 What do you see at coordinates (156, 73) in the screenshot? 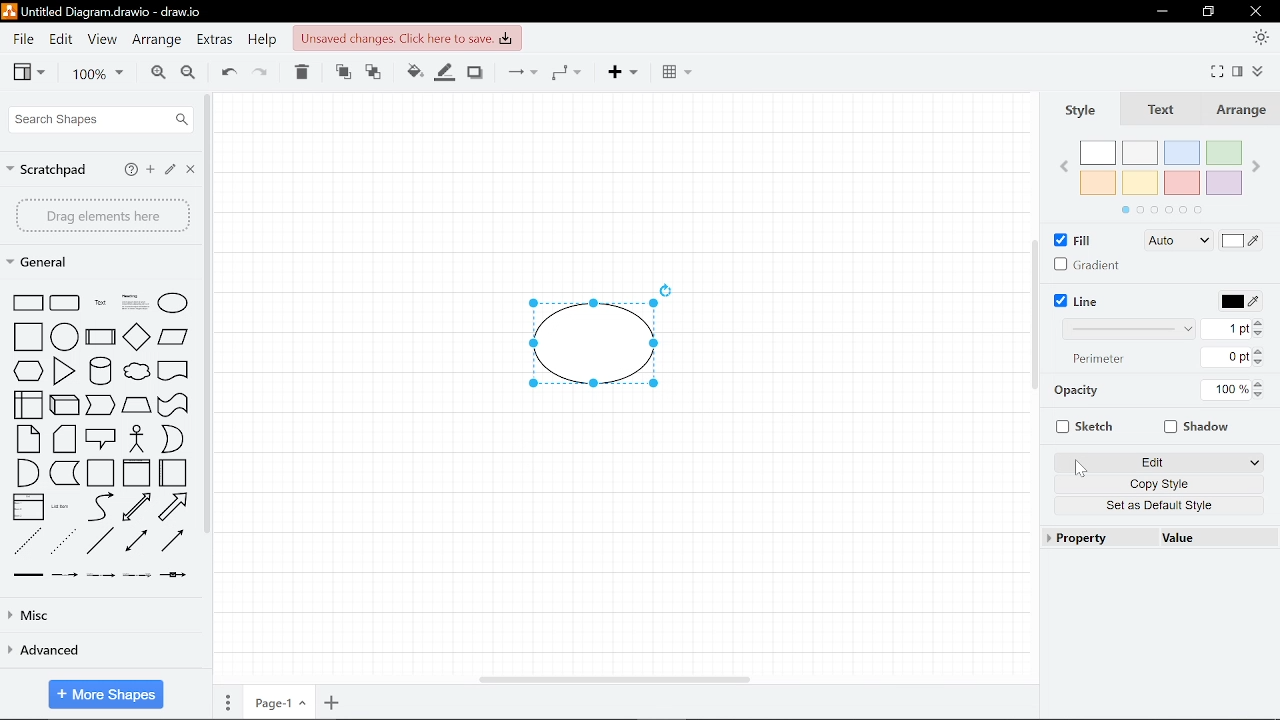
I see `Zoom in` at bounding box center [156, 73].